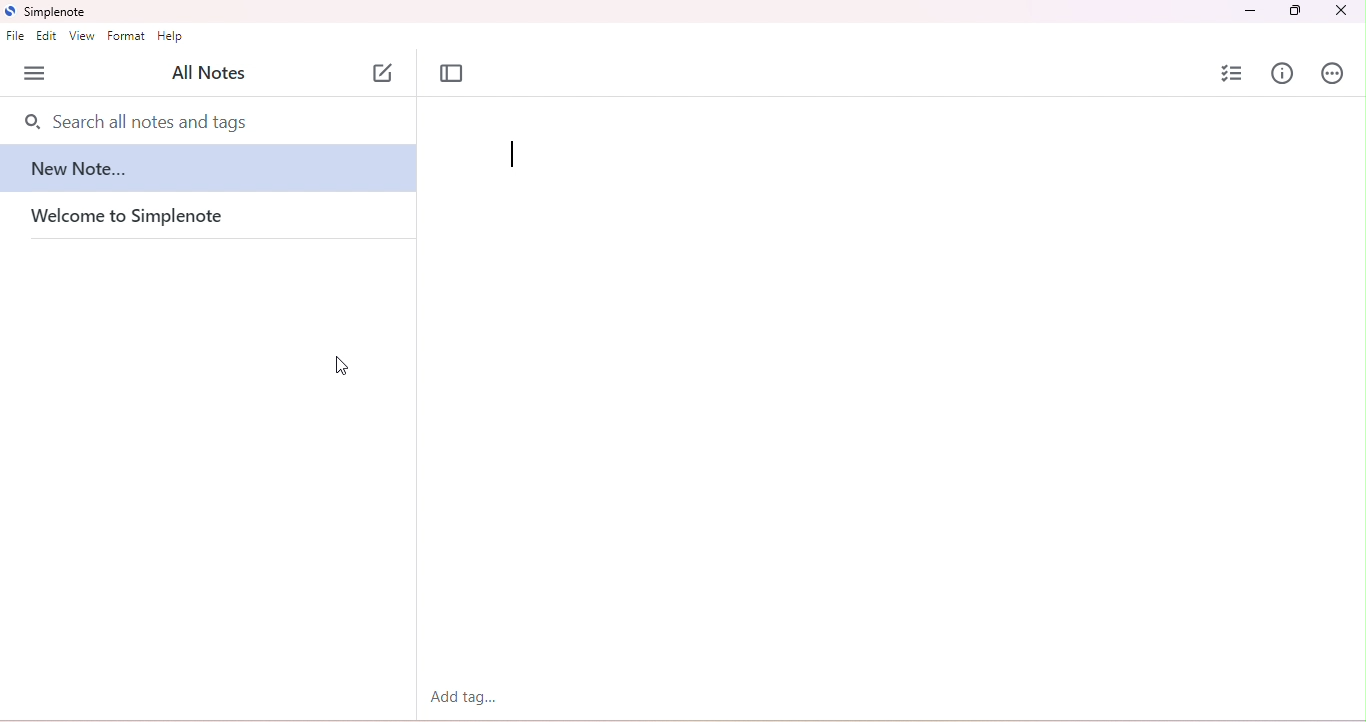 The height and width of the screenshot is (722, 1366). I want to click on welcome to simplenote, so click(152, 218).